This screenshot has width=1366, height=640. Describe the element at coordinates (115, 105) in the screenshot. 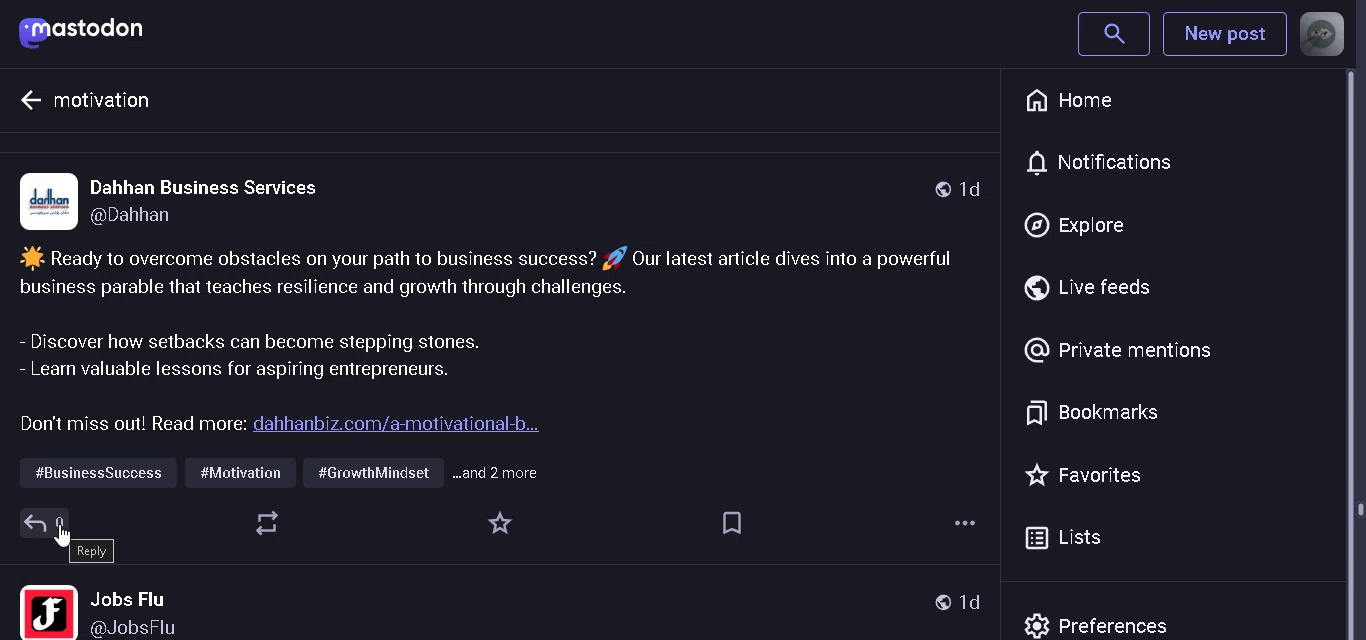

I see `text` at that location.